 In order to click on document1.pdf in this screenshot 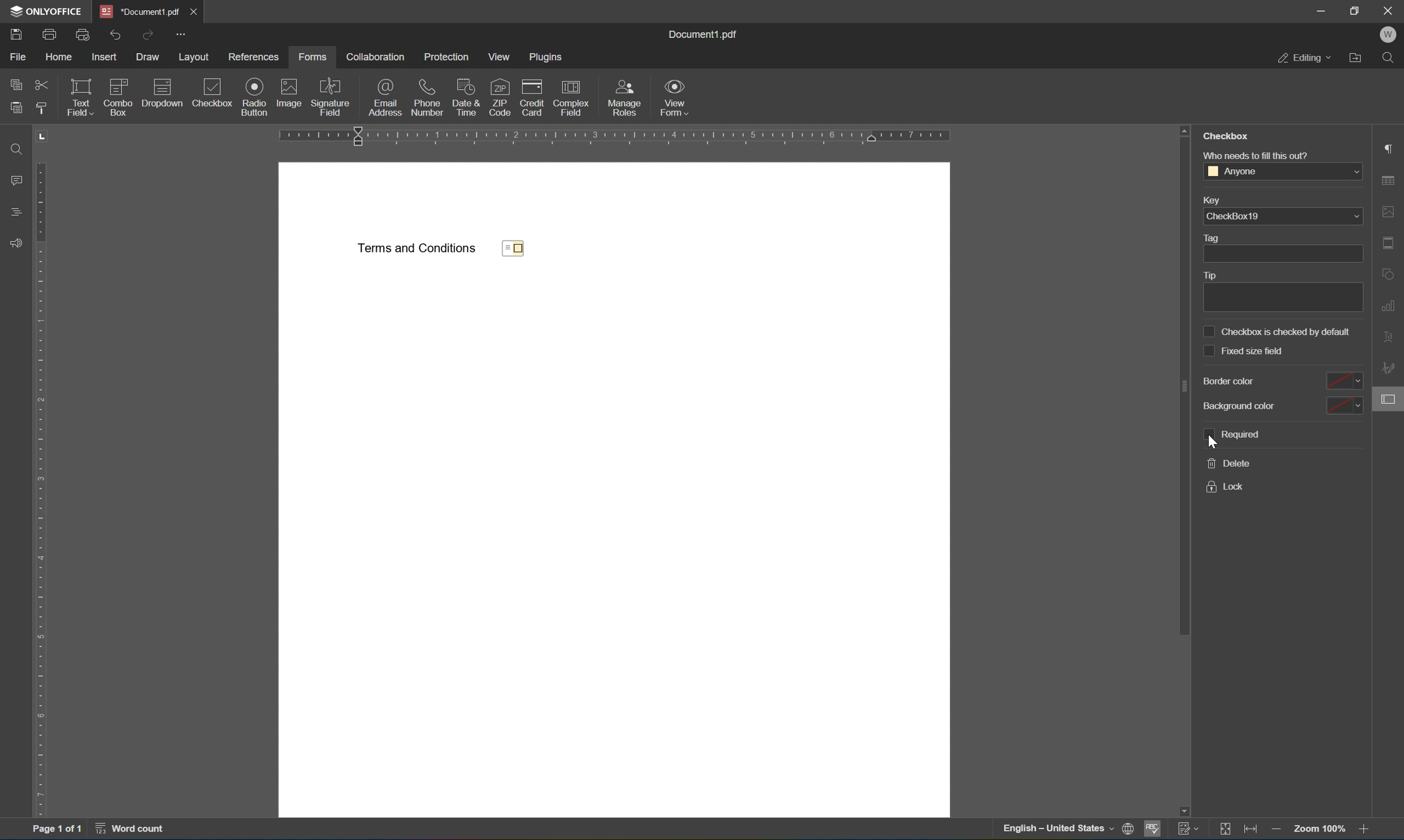, I will do `click(707, 36)`.